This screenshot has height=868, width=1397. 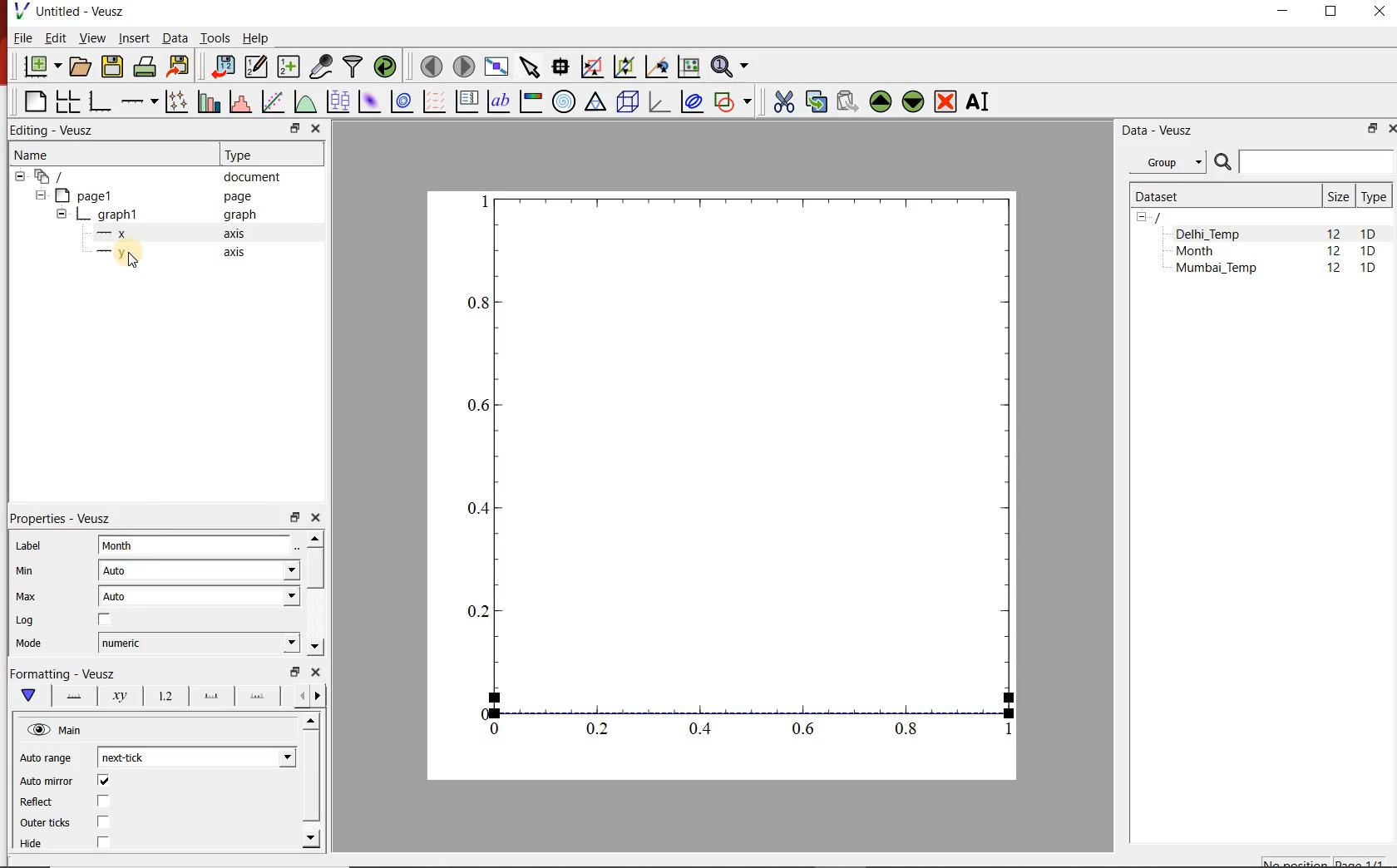 What do you see at coordinates (62, 129) in the screenshot?
I see `Editing - Veusz` at bounding box center [62, 129].